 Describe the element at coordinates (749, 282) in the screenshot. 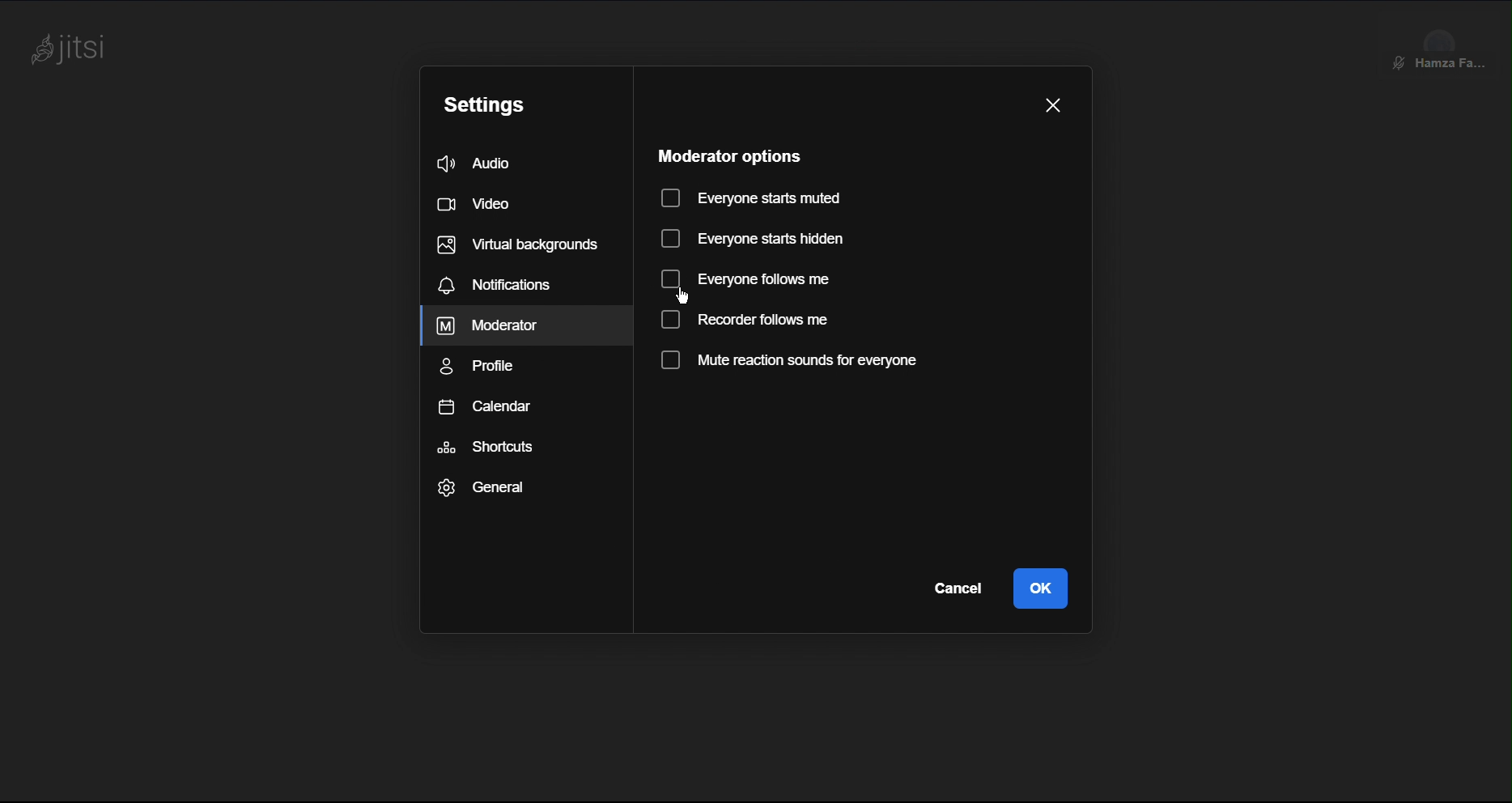

I see `Everyone follows me ` at that location.